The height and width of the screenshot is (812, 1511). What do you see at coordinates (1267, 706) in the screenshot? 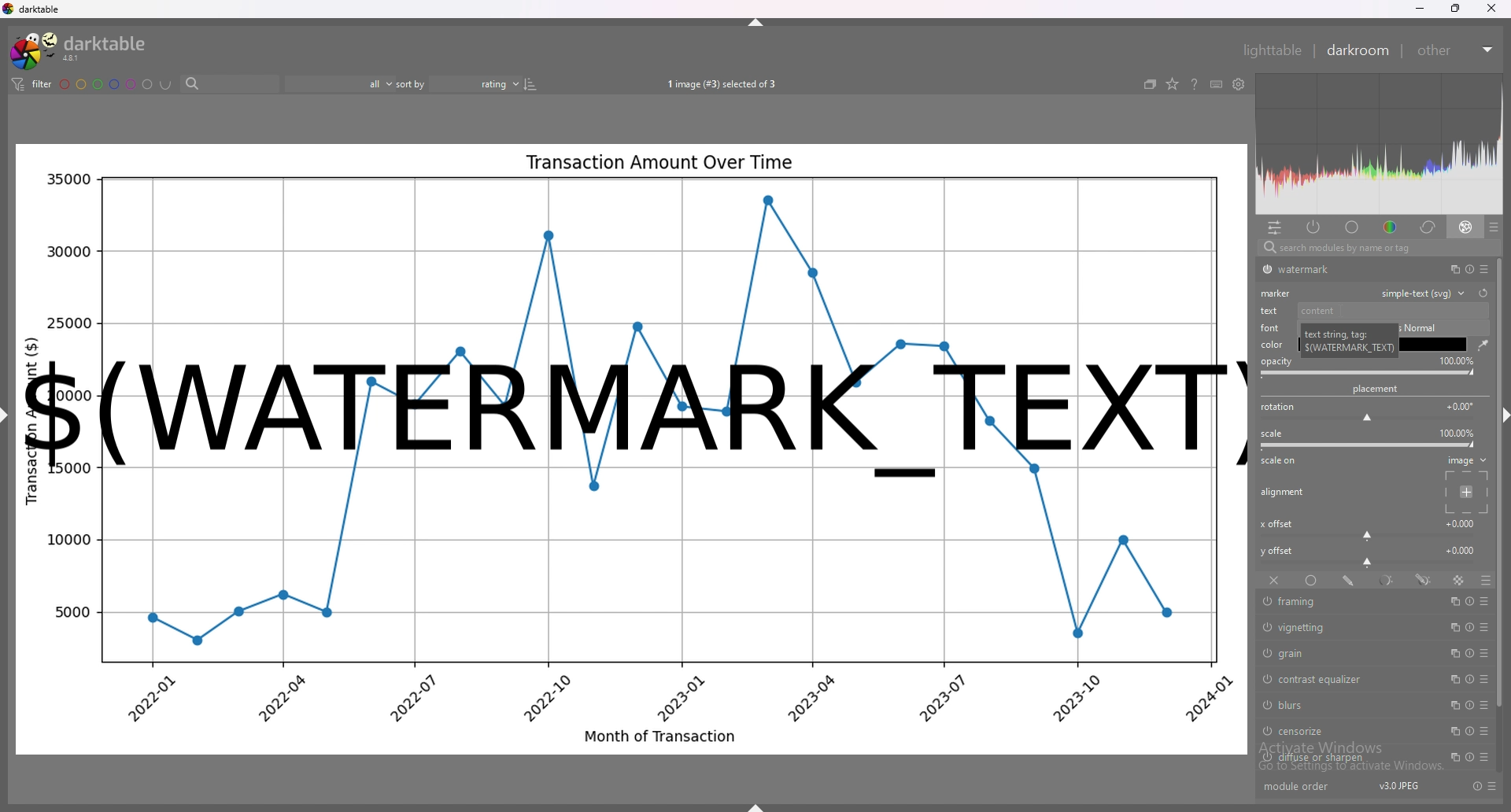
I see `switch off` at bounding box center [1267, 706].